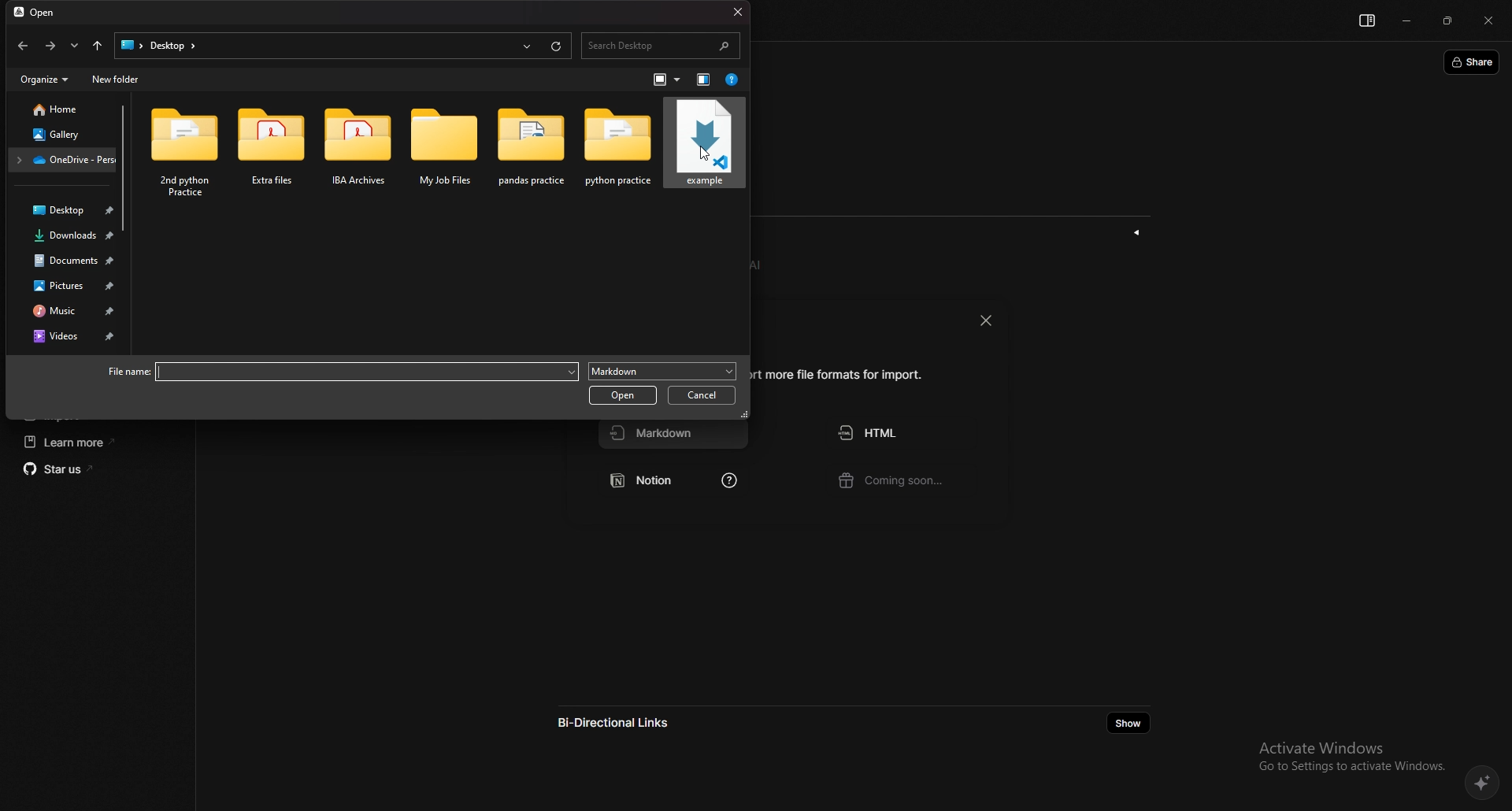 The height and width of the screenshot is (811, 1512). What do you see at coordinates (129, 372) in the screenshot?
I see `file name` at bounding box center [129, 372].